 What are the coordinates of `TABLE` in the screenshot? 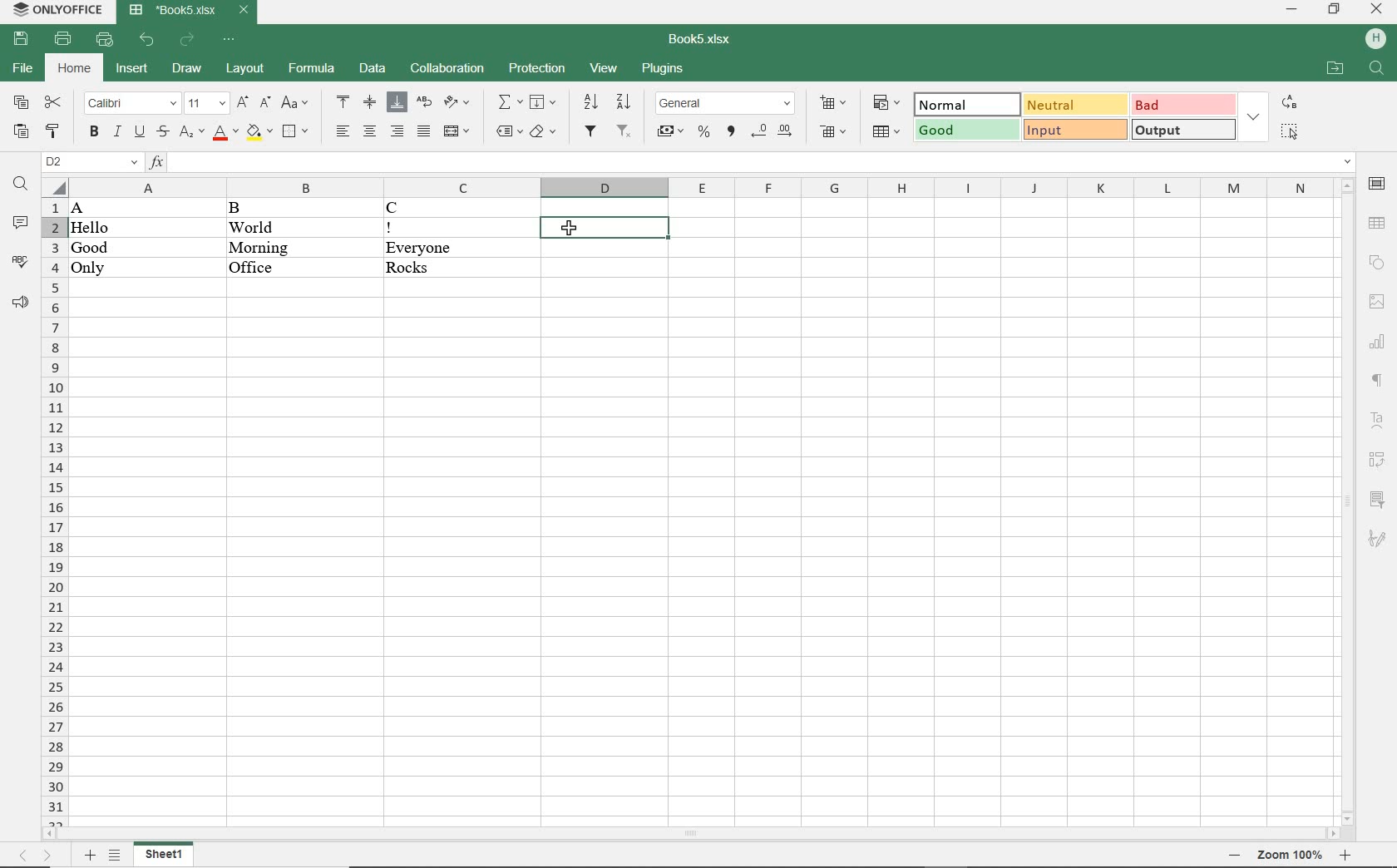 It's located at (1379, 223).